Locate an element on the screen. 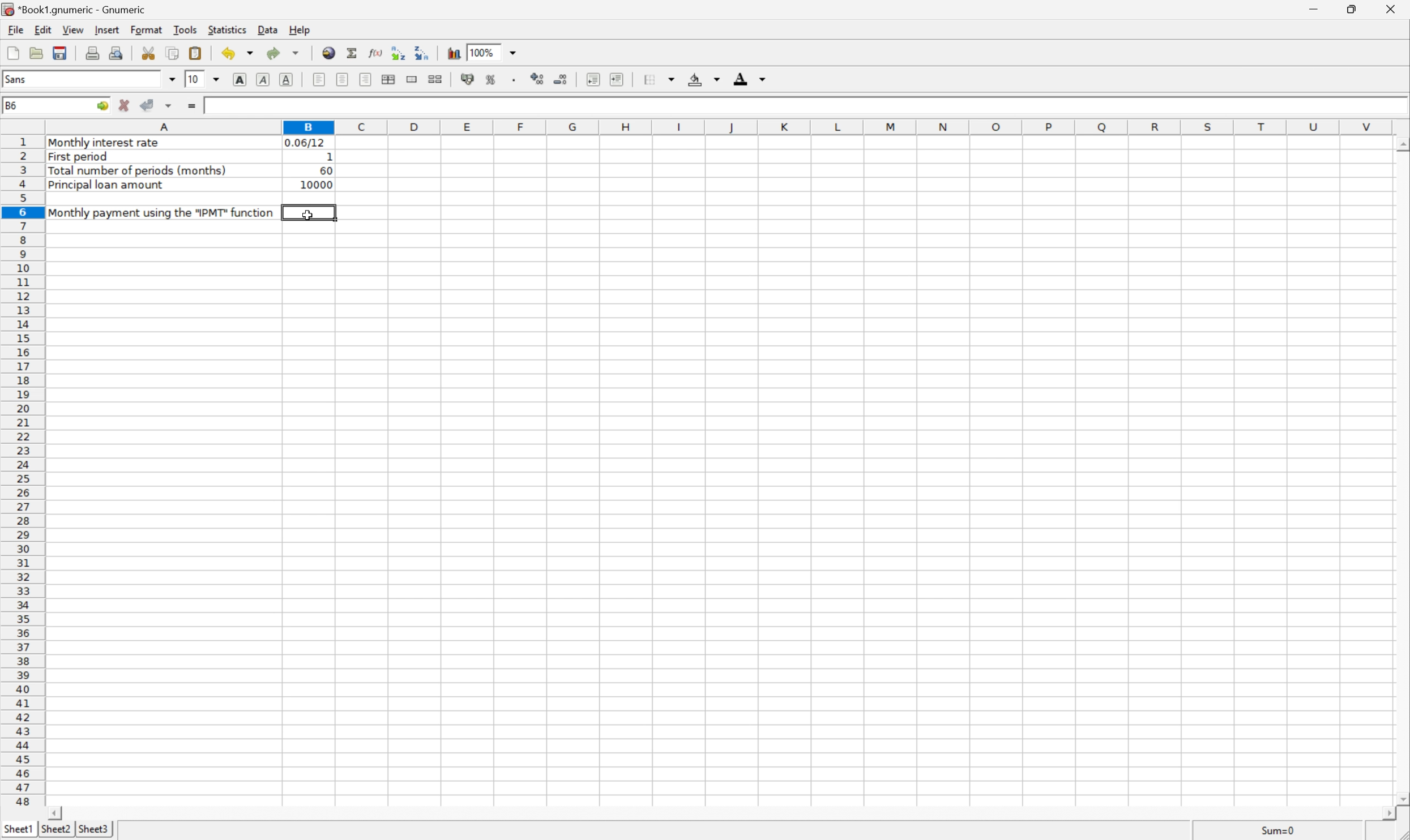  Minimize is located at coordinates (1310, 8).